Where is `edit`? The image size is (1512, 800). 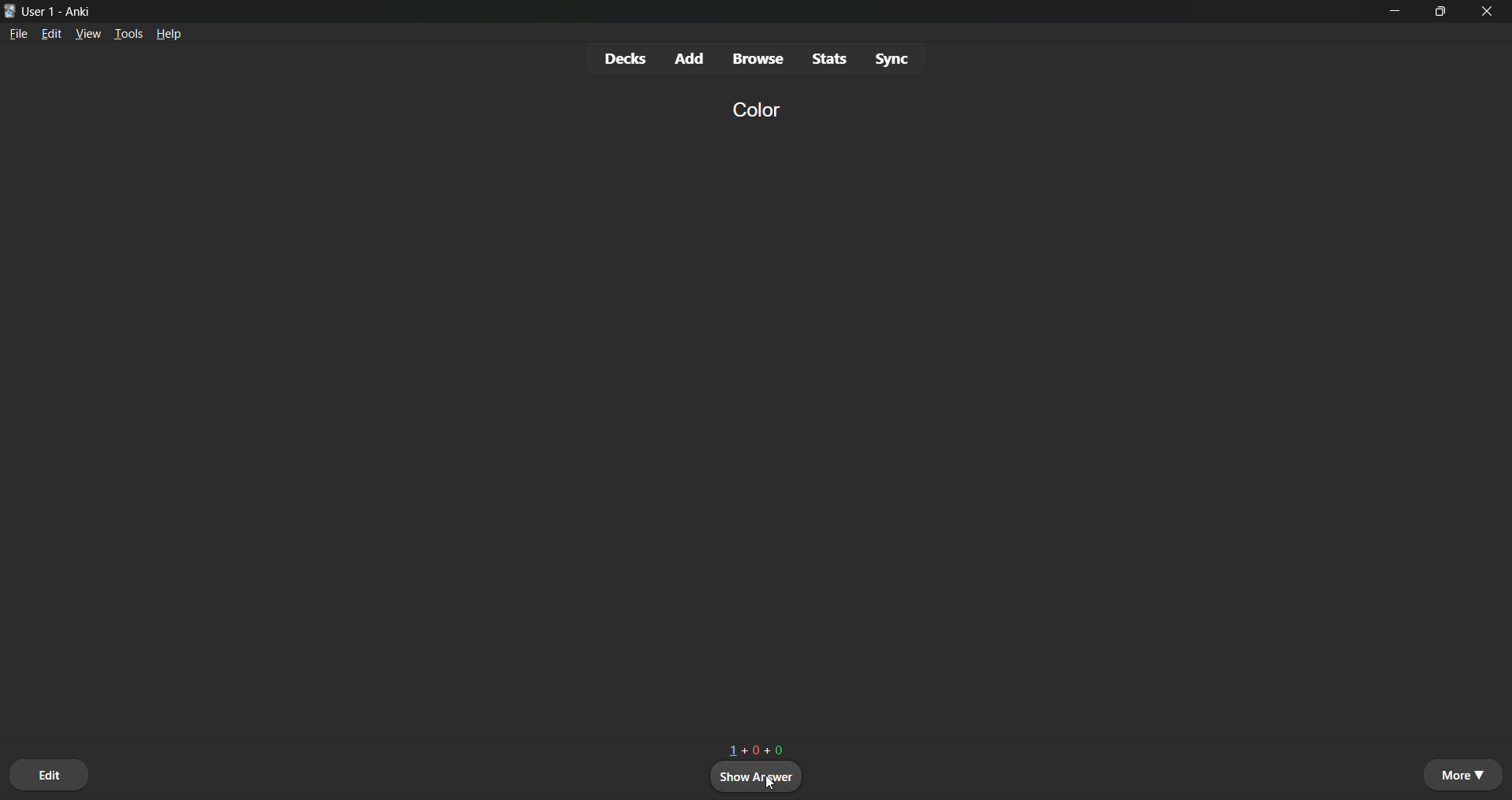
edit is located at coordinates (51, 772).